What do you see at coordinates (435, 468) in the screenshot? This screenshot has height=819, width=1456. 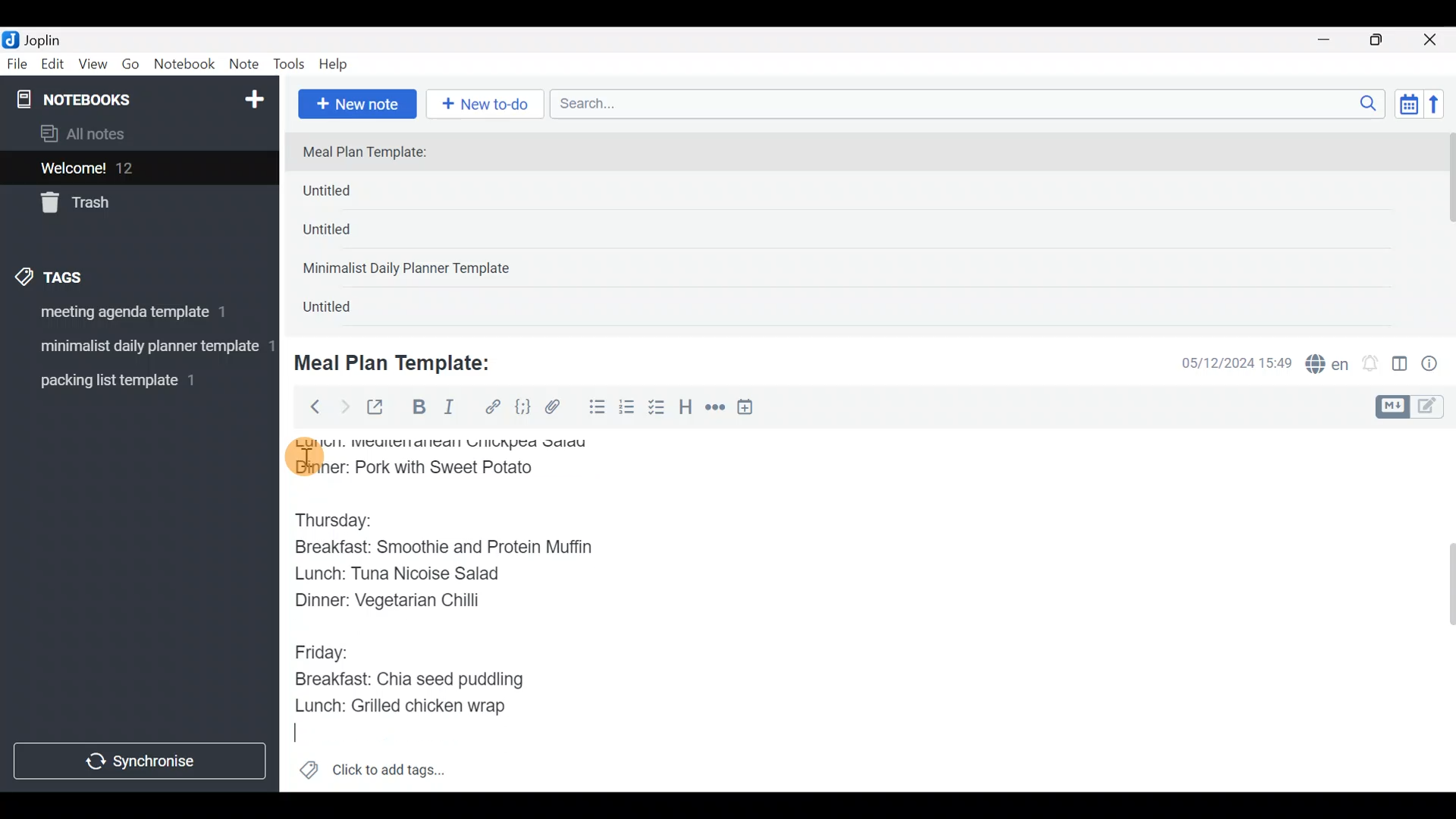 I see `Dinner: Pork with Sweet Potato` at bounding box center [435, 468].